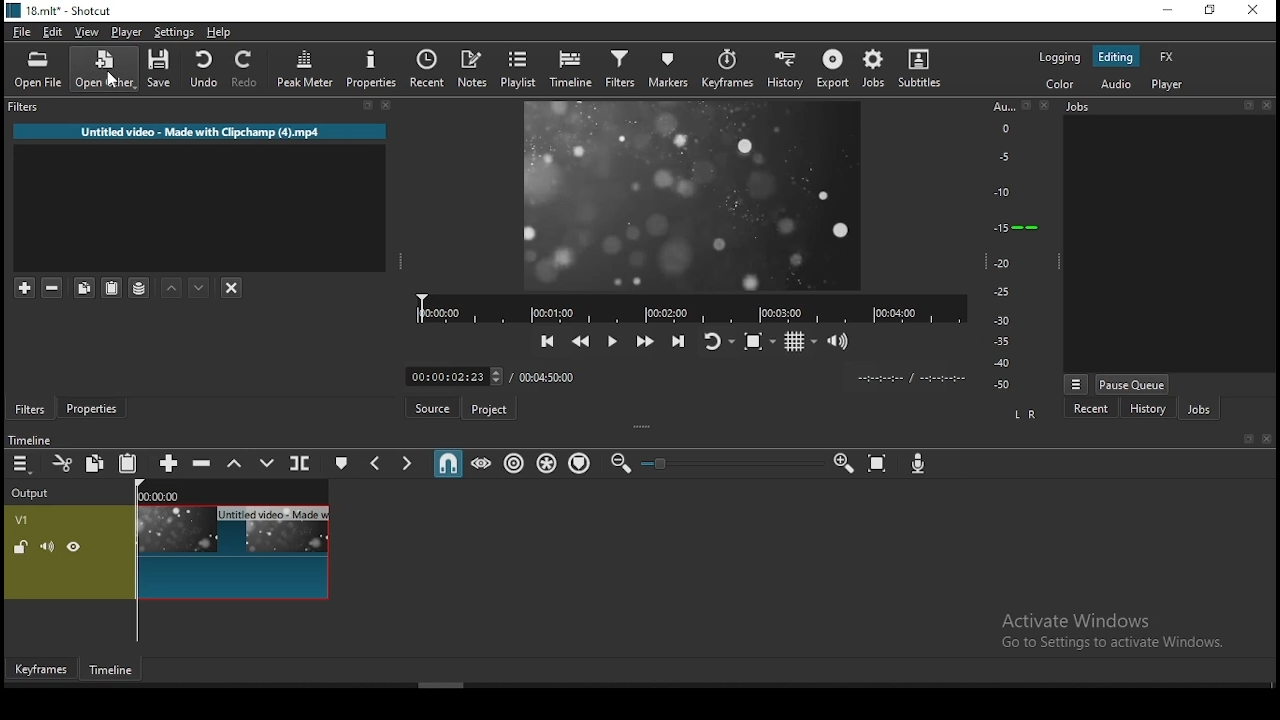 The width and height of the screenshot is (1280, 720). What do you see at coordinates (58, 10) in the screenshot?
I see `18.mit* - Shotcut` at bounding box center [58, 10].